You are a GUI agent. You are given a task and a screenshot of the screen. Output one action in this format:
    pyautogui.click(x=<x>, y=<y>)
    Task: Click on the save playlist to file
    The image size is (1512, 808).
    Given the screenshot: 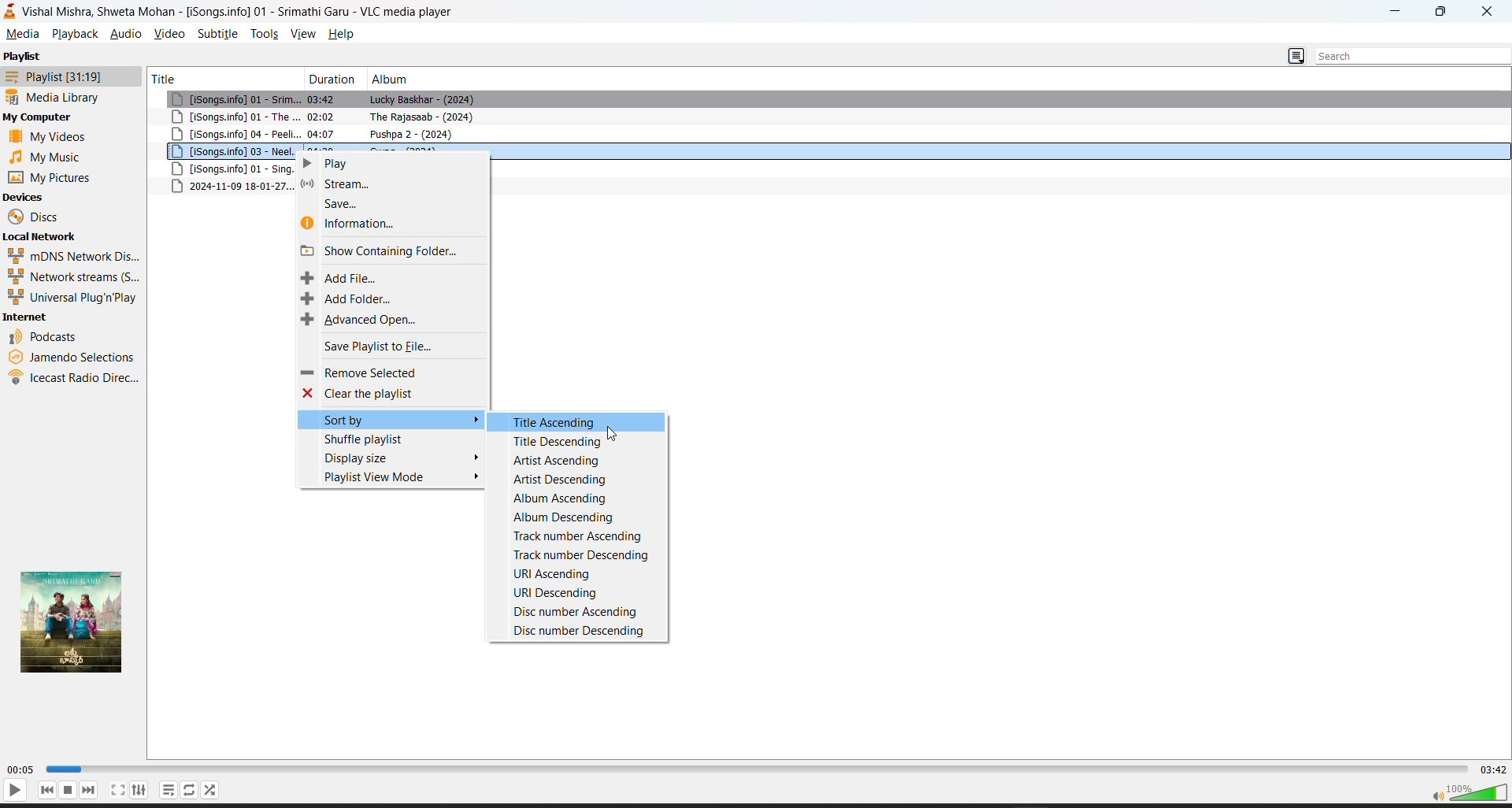 What is the action you would take?
    pyautogui.click(x=393, y=345)
    